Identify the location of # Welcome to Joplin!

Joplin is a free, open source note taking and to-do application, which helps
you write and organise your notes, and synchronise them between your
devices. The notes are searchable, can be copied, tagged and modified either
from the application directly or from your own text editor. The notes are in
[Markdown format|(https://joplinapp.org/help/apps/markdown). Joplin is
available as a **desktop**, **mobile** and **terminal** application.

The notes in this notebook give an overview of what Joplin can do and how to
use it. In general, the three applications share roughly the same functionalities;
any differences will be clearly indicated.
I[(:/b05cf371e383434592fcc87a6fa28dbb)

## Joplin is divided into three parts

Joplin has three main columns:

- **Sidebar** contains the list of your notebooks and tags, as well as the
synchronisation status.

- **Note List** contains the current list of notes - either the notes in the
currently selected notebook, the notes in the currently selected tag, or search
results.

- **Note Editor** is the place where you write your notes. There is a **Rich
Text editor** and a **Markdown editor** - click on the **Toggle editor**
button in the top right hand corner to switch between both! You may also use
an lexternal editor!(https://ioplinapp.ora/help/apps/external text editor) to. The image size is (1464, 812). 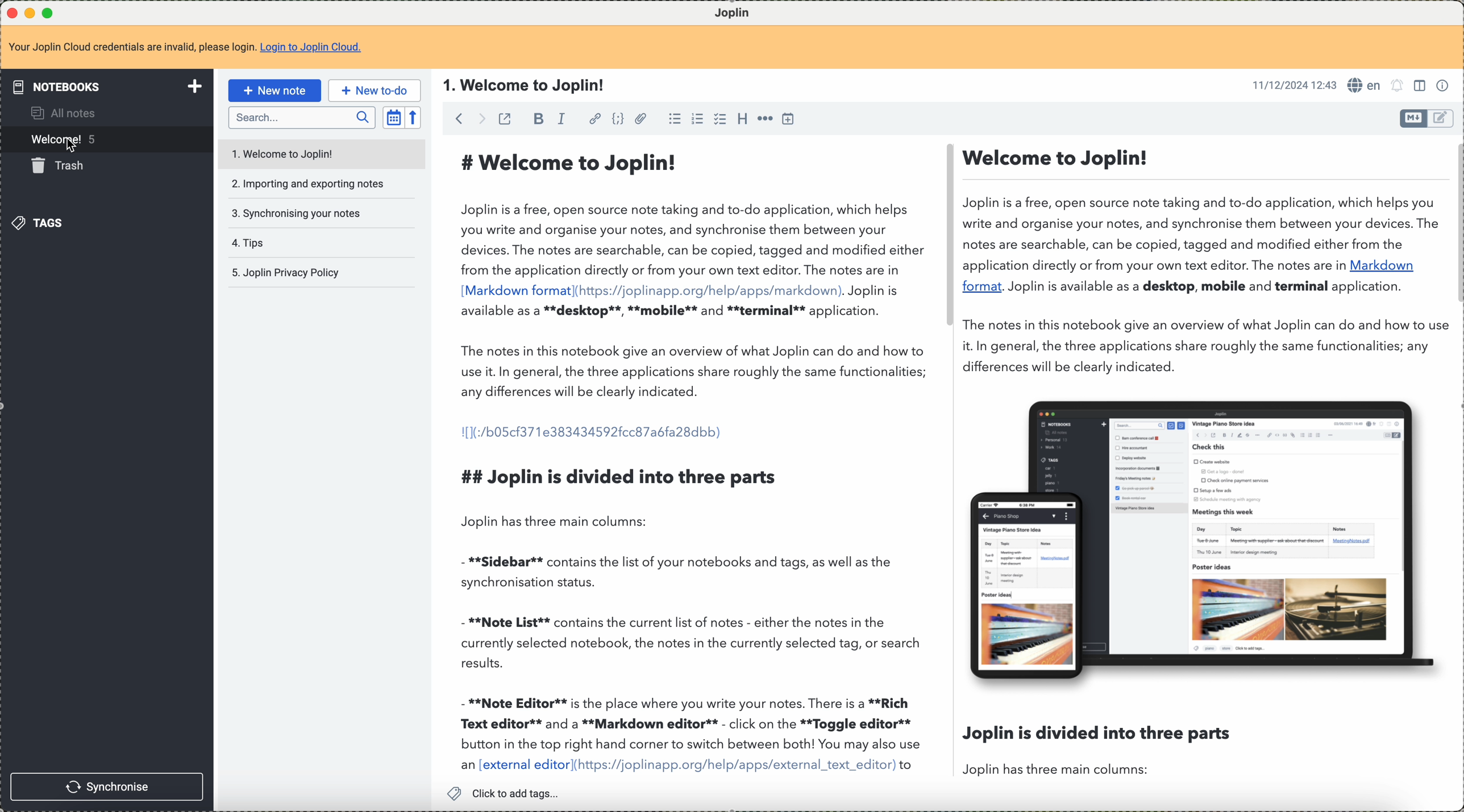
(692, 455).